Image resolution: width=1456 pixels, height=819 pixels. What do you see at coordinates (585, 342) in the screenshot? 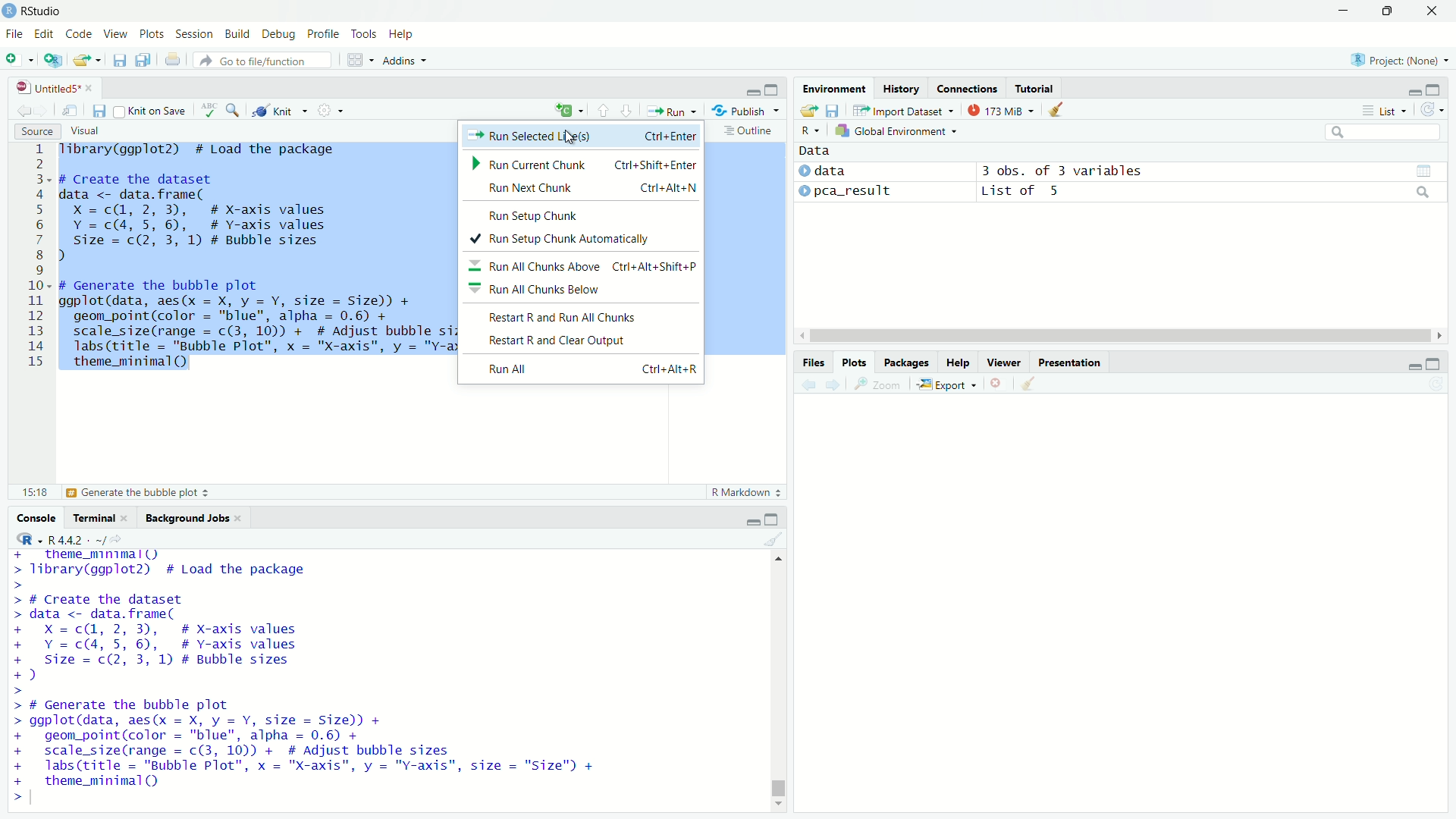
I see `restart and clear output` at bounding box center [585, 342].